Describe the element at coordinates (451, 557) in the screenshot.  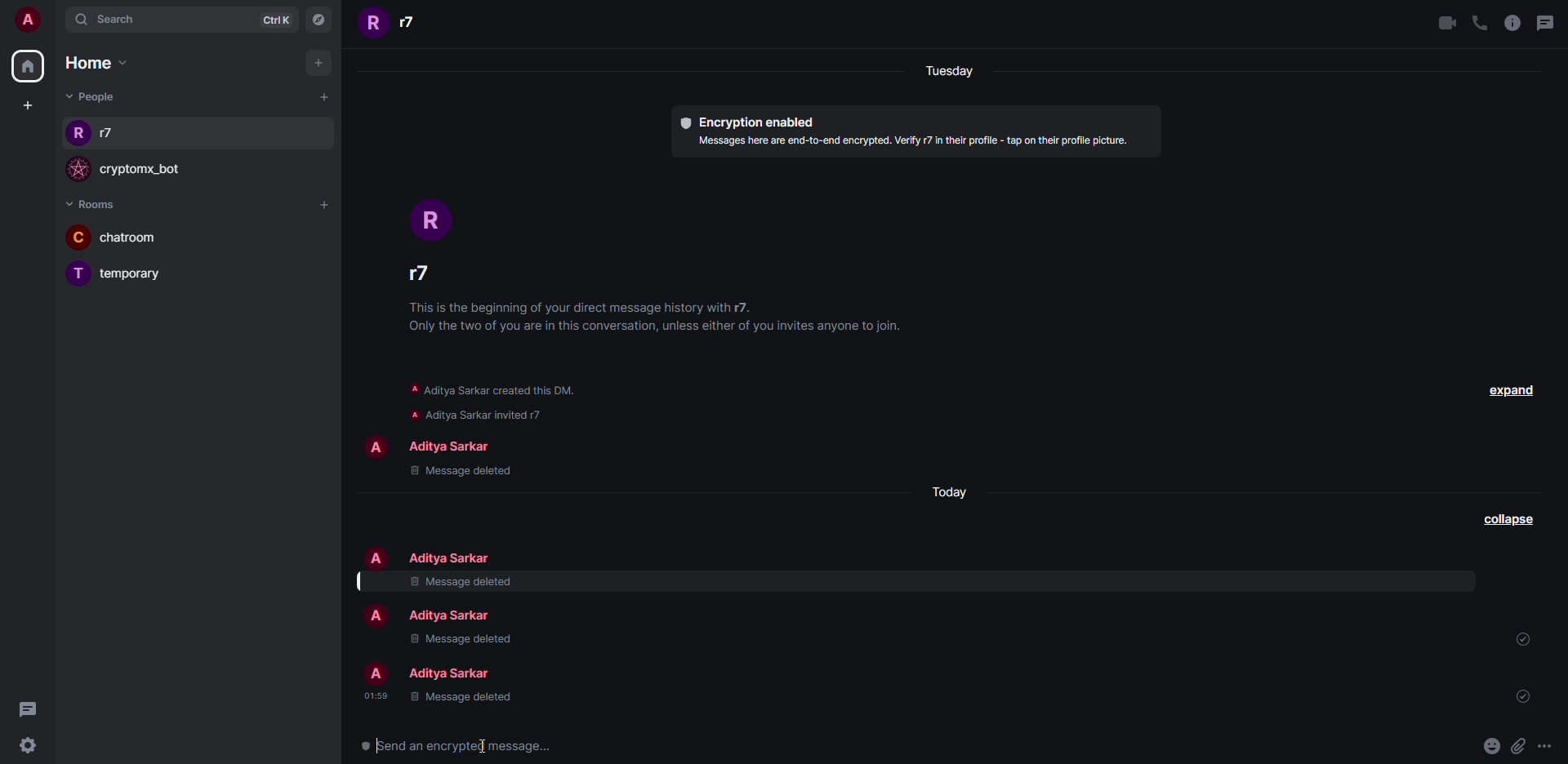
I see `people` at that location.